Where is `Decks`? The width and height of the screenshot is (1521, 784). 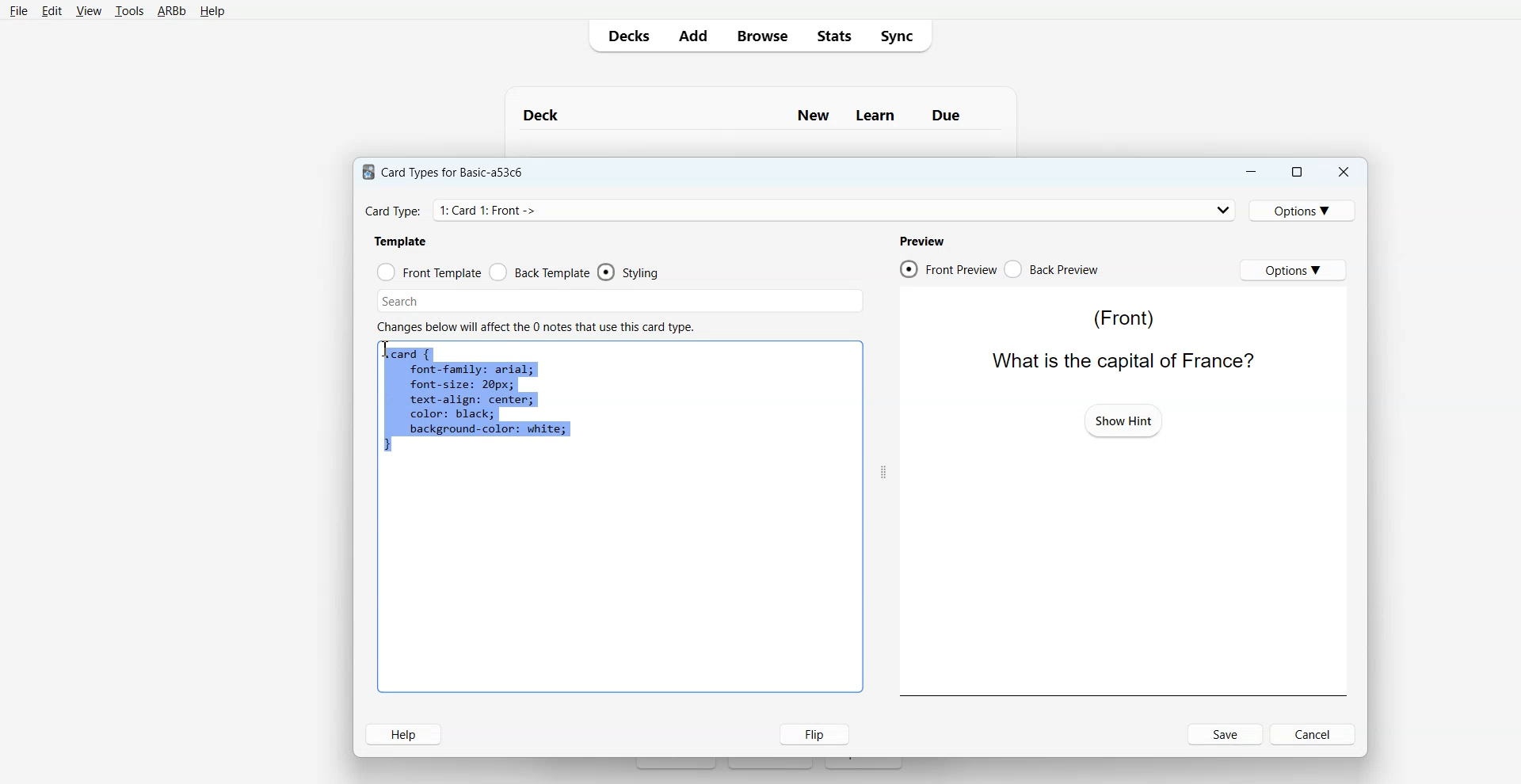 Decks is located at coordinates (625, 36).